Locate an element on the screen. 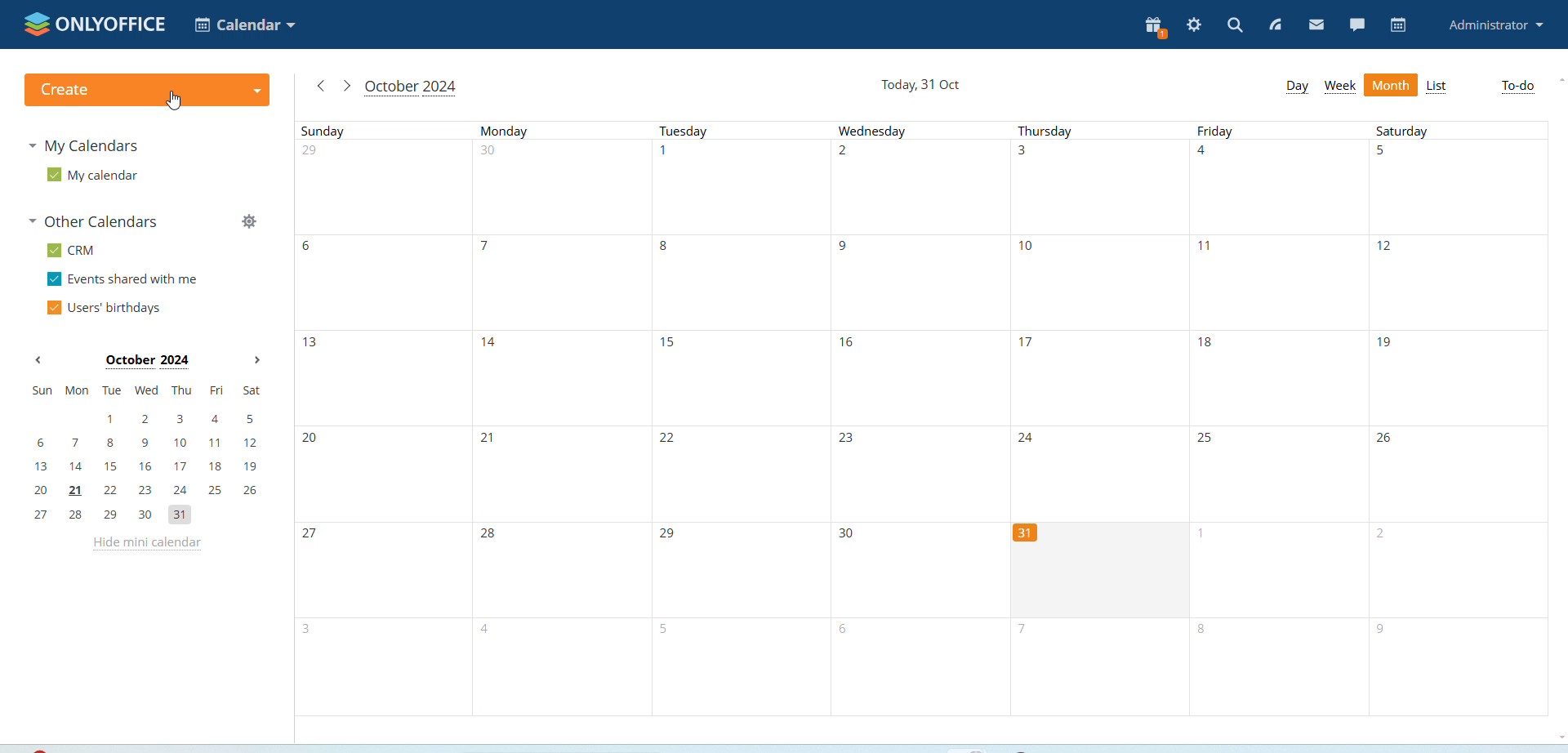  go to previous month is located at coordinates (319, 87).